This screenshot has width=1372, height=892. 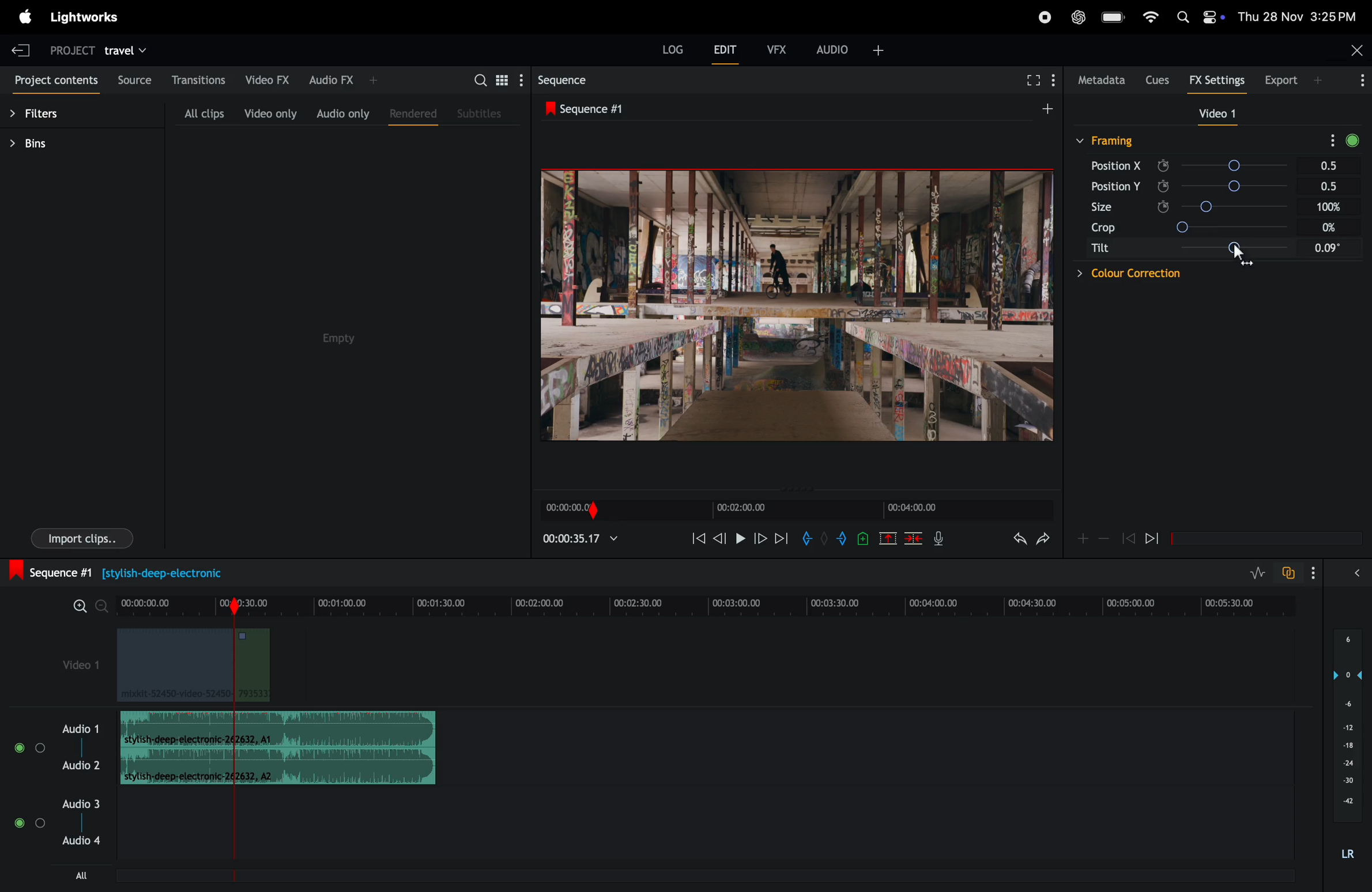 What do you see at coordinates (1217, 81) in the screenshot?
I see `Fx settings` at bounding box center [1217, 81].